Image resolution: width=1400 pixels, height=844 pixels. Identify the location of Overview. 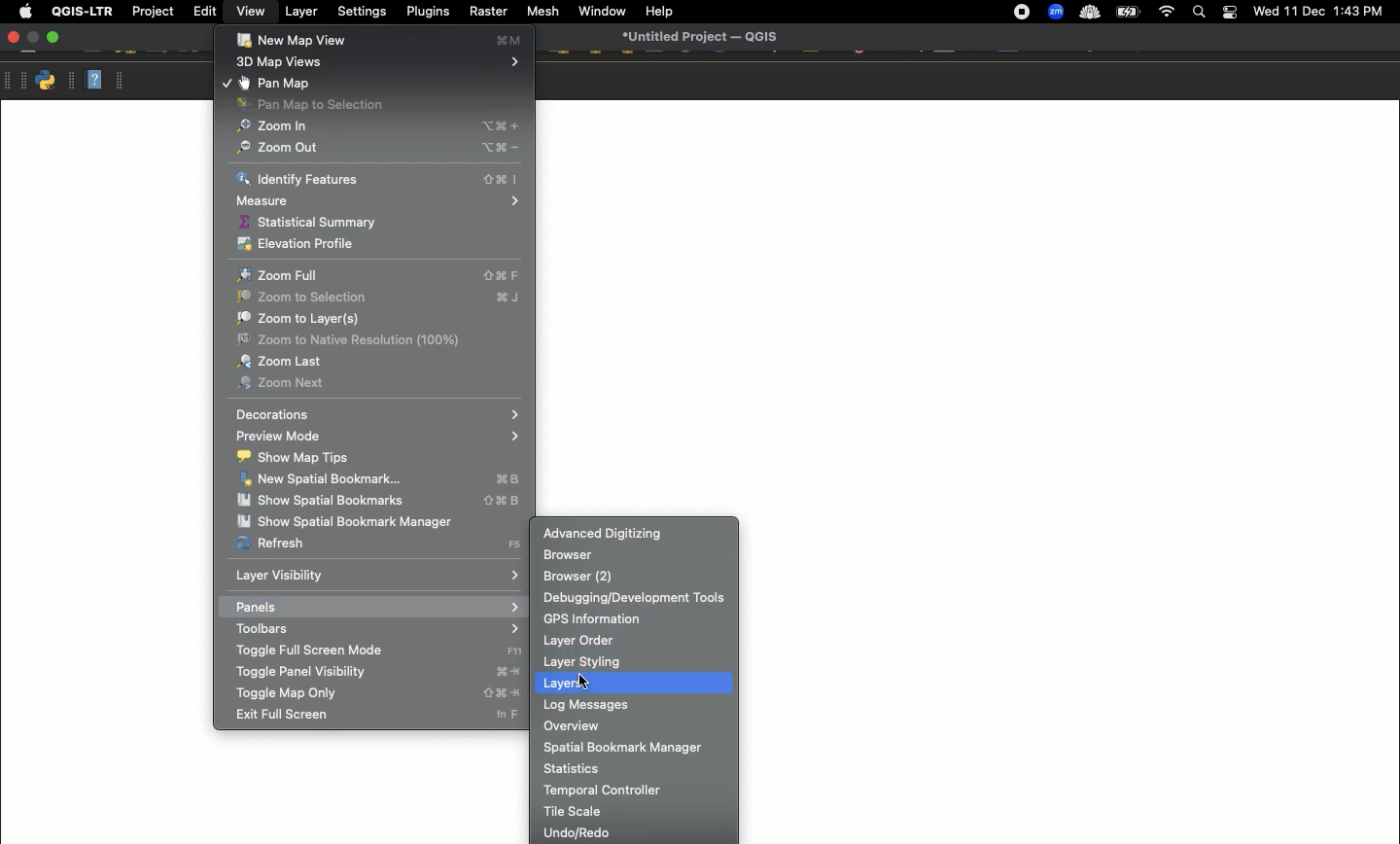
(635, 725).